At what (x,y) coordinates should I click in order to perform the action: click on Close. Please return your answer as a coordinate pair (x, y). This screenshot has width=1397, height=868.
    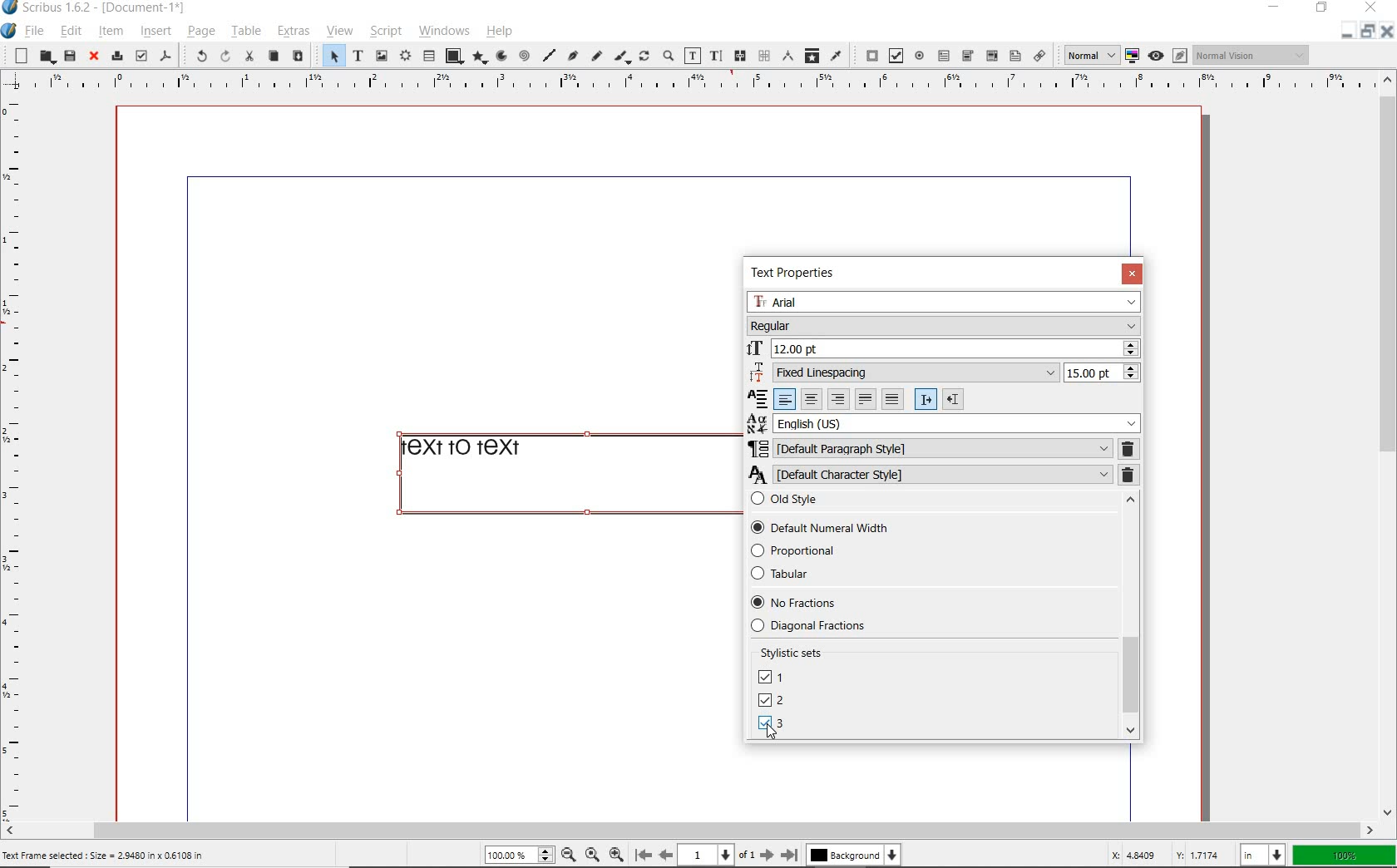
    Looking at the image, I should click on (1385, 33).